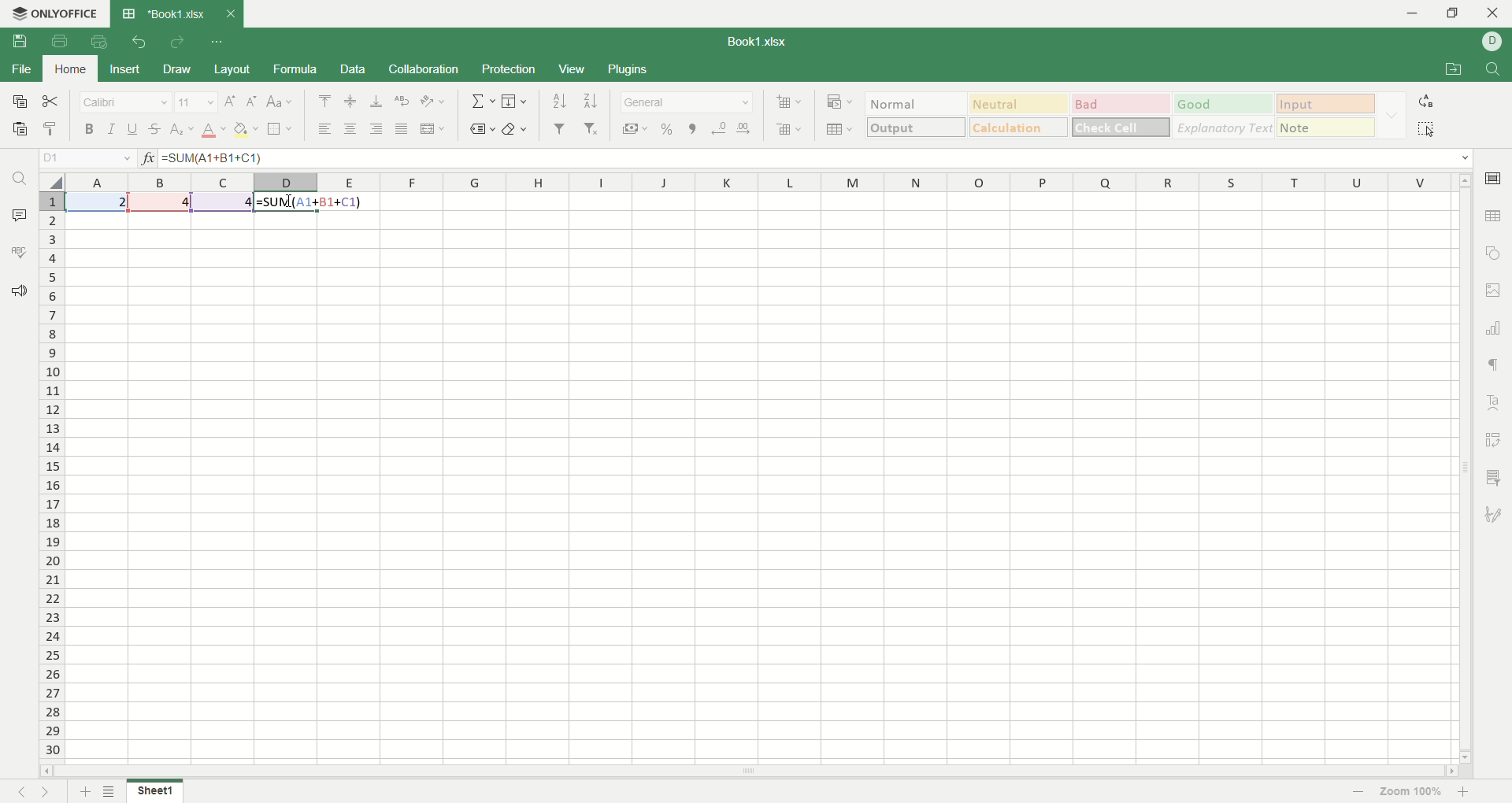 This screenshot has width=1512, height=803. Describe the element at coordinates (87, 128) in the screenshot. I see `bold` at that location.